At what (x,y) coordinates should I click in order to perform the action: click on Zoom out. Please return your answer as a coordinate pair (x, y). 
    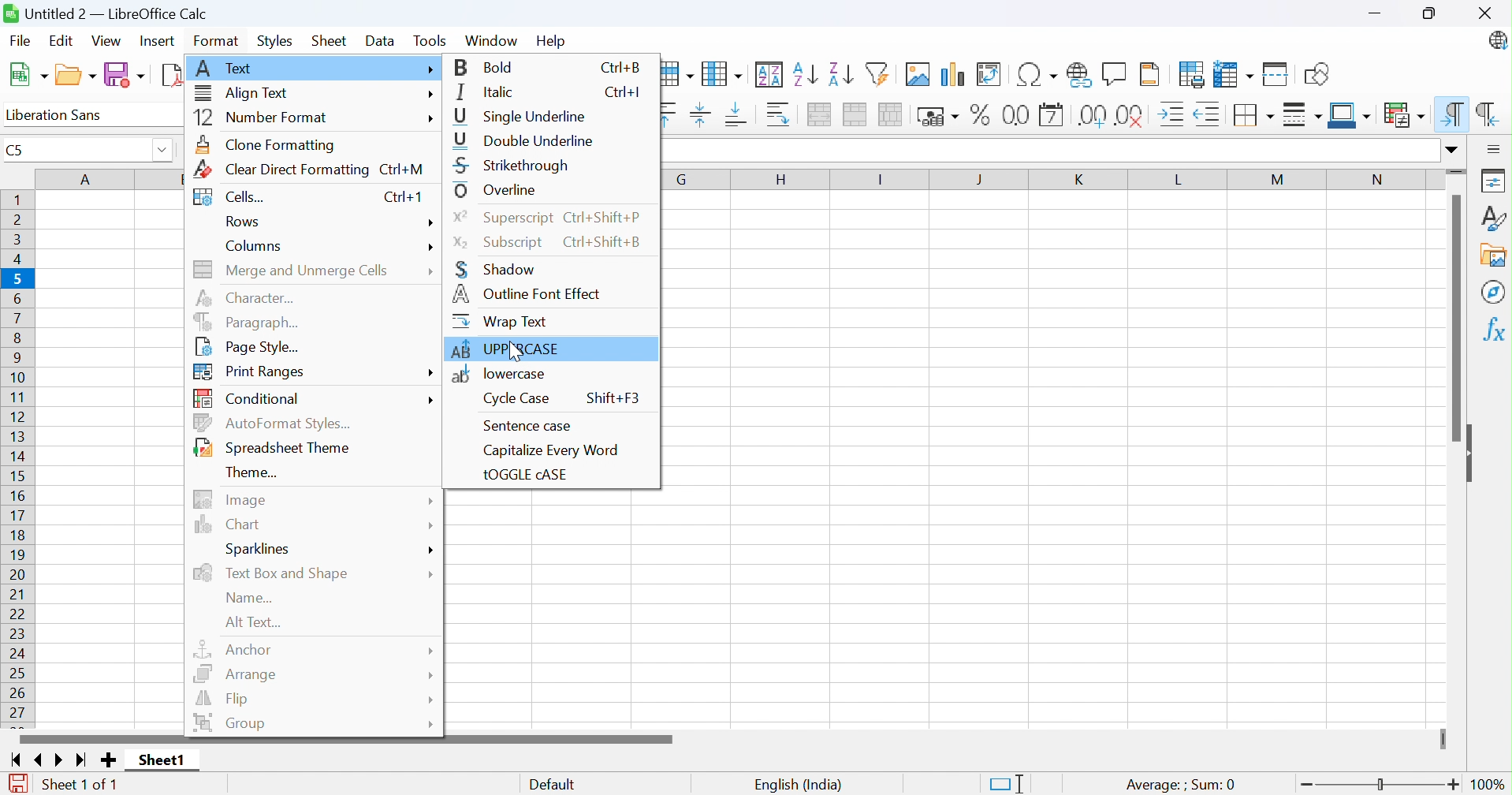
    Looking at the image, I should click on (1309, 783).